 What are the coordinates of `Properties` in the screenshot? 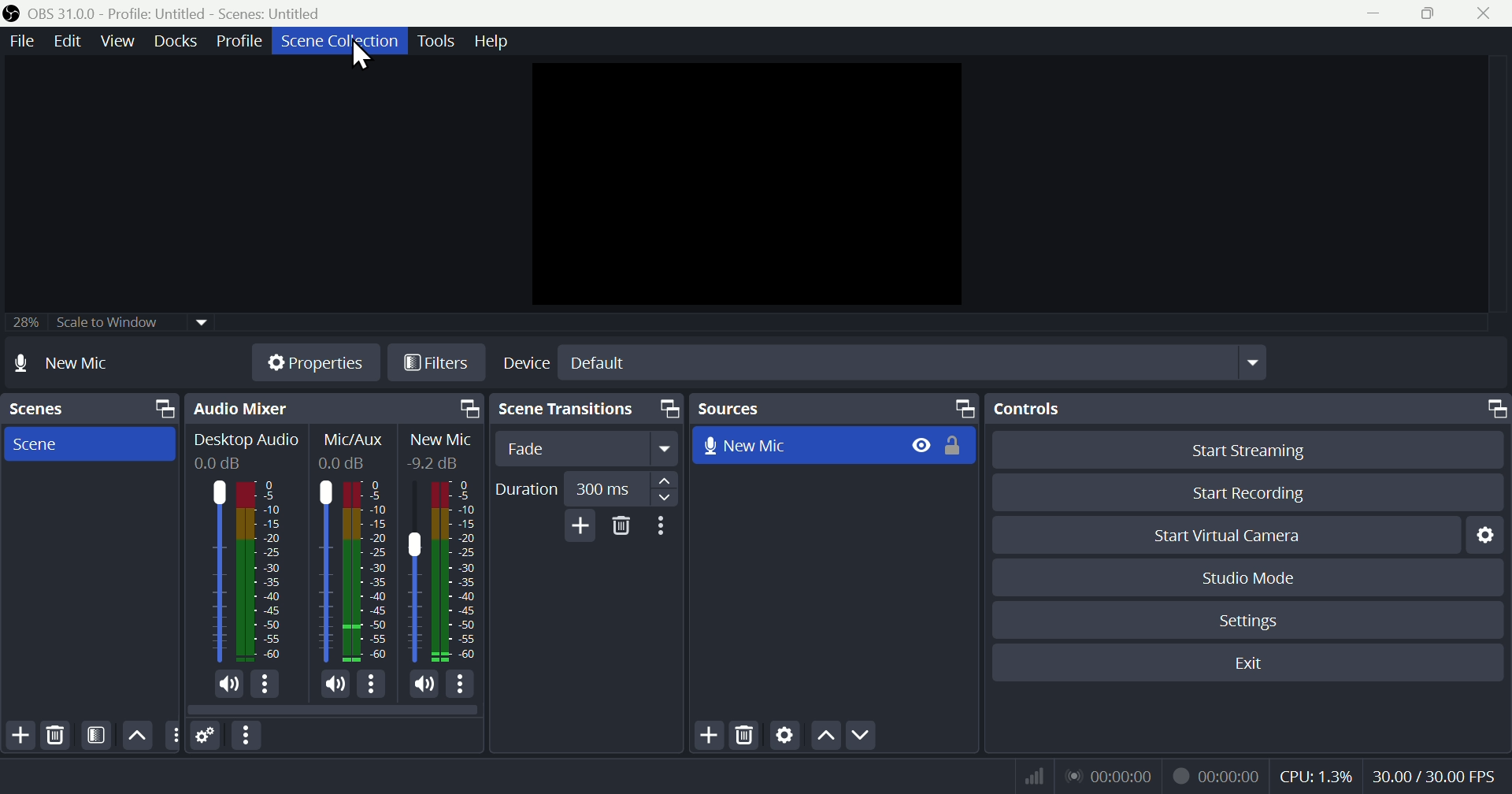 It's located at (318, 363).